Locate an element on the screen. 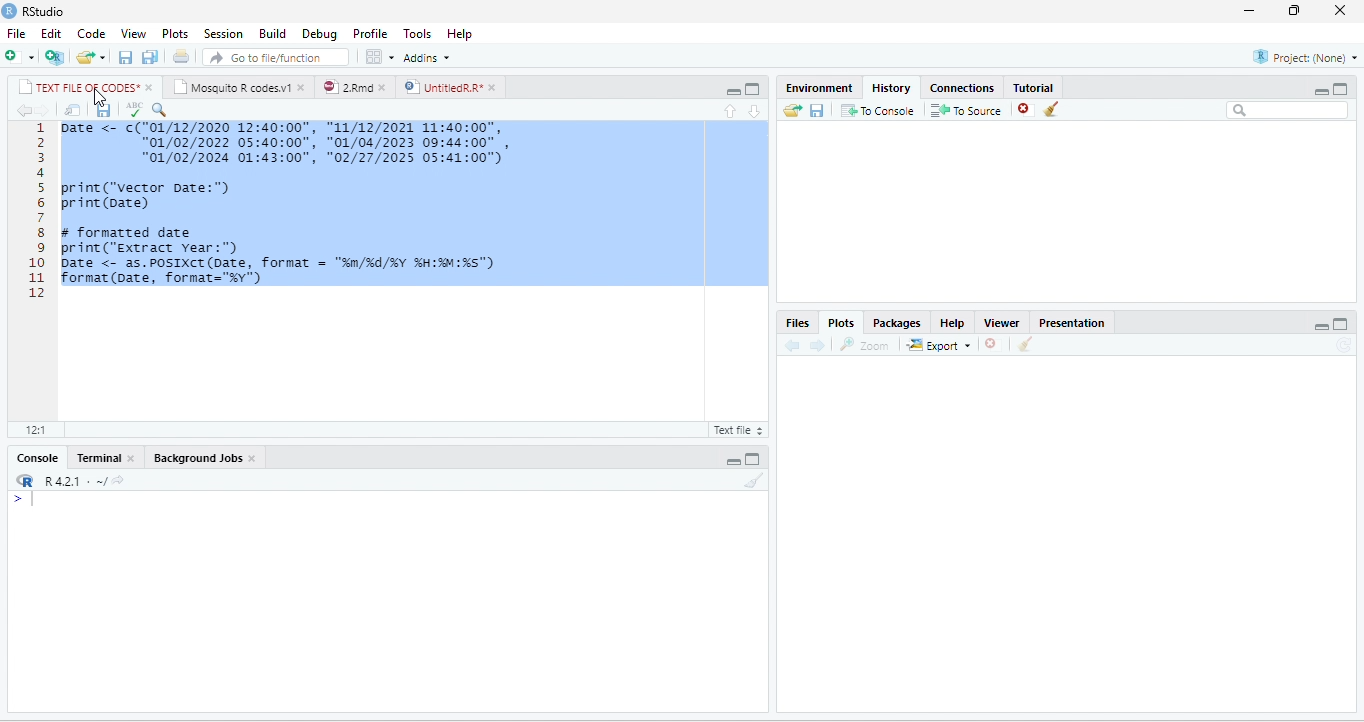 The width and height of the screenshot is (1364, 722). Plots is located at coordinates (175, 34).